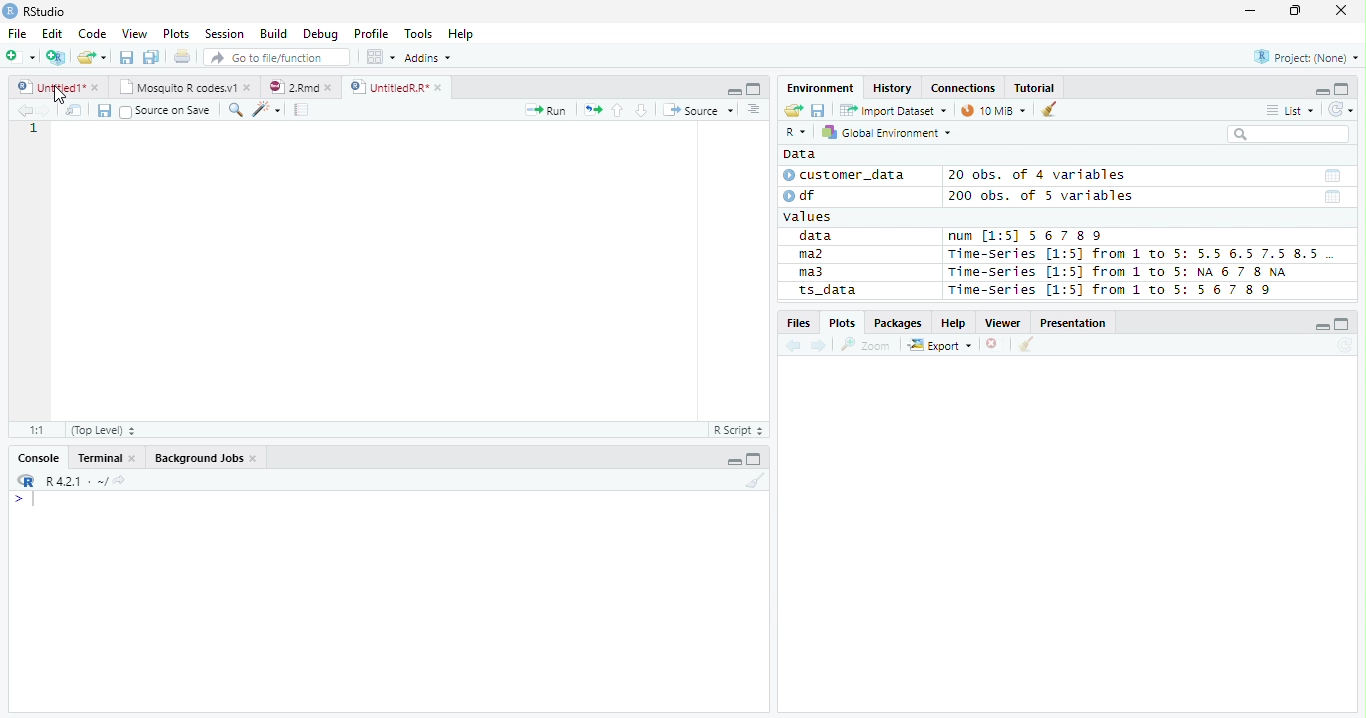 Image resolution: width=1366 pixels, height=718 pixels. I want to click on Project (none), so click(1309, 55).